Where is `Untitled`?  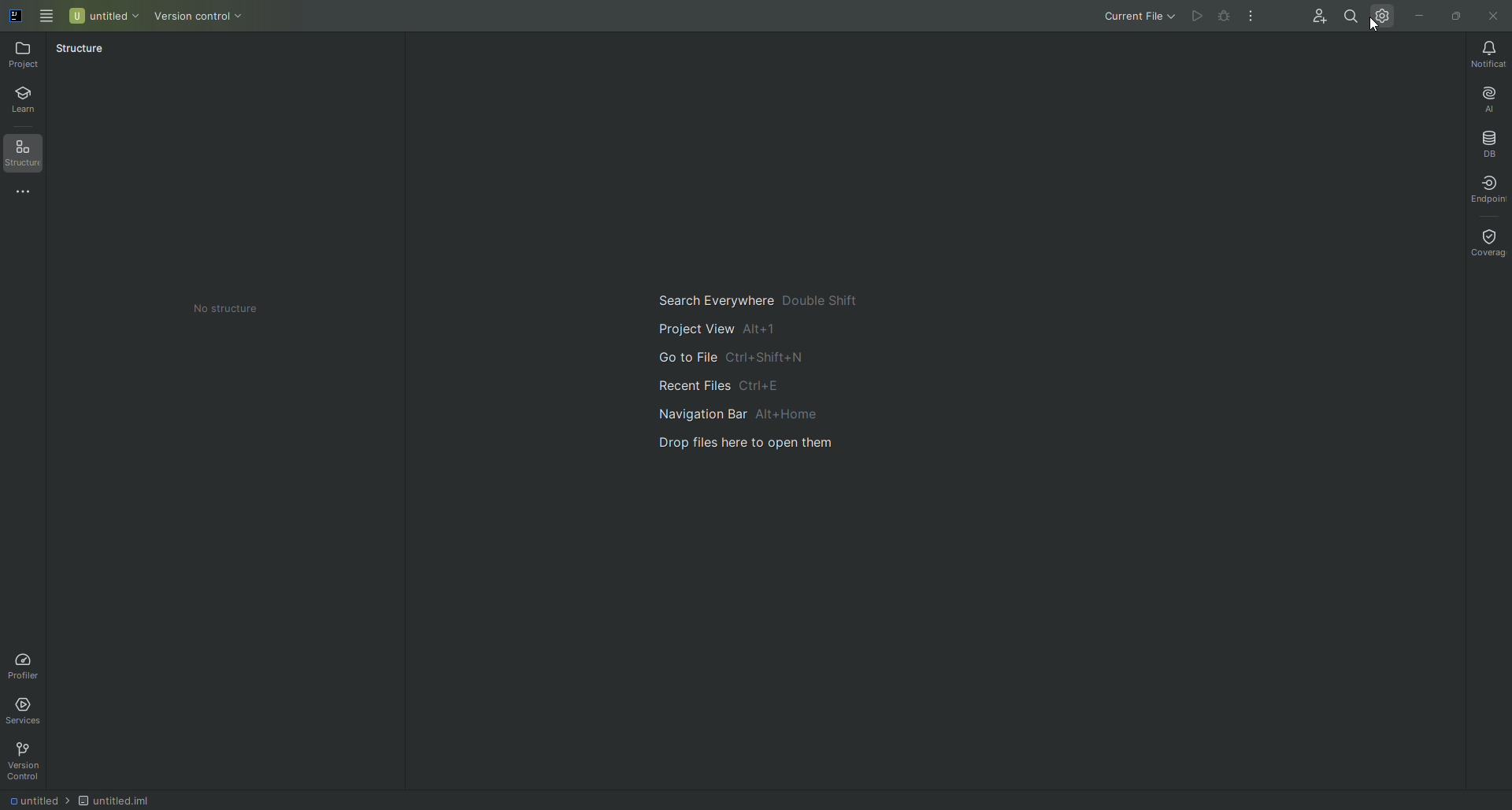 Untitled is located at coordinates (102, 17).